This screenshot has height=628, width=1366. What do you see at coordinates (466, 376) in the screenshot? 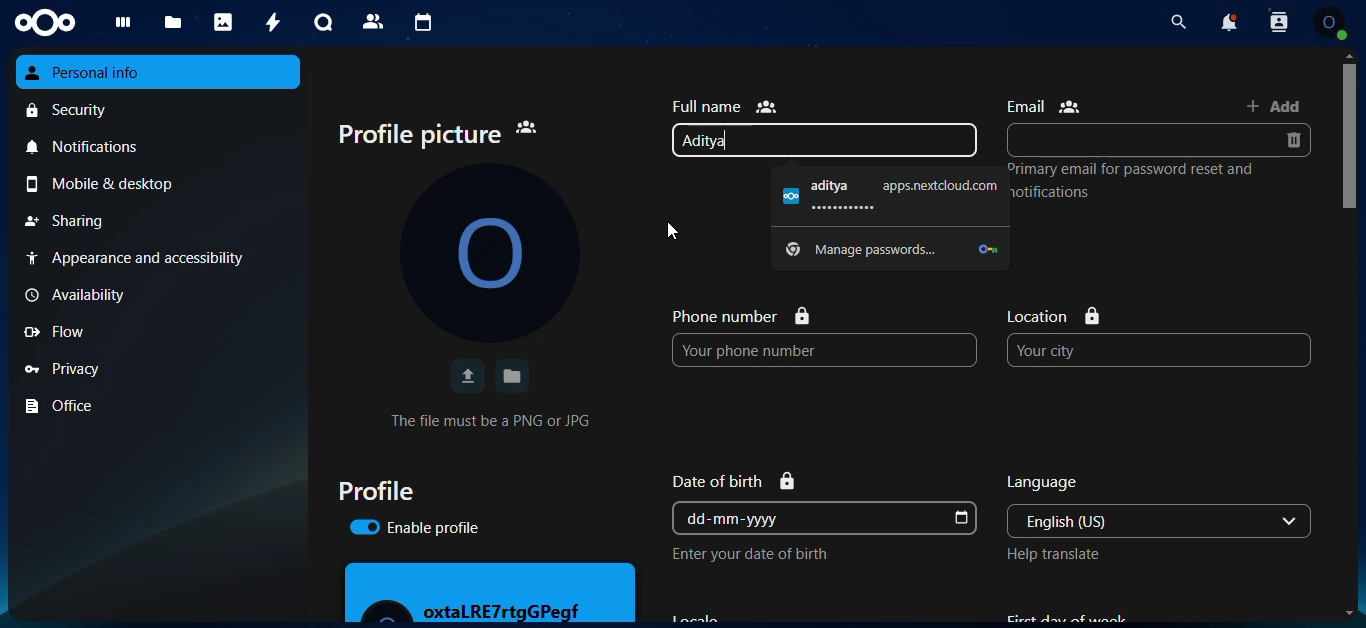
I see `upload` at bounding box center [466, 376].